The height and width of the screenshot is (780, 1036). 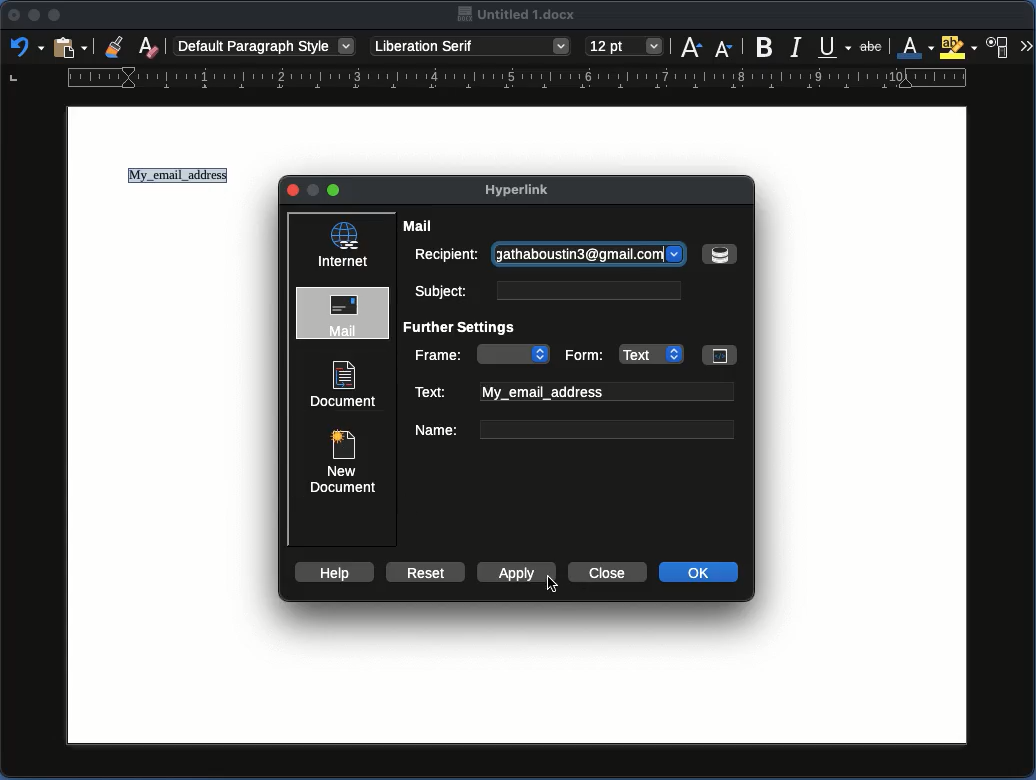 What do you see at coordinates (341, 459) in the screenshot?
I see `New document` at bounding box center [341, 459].